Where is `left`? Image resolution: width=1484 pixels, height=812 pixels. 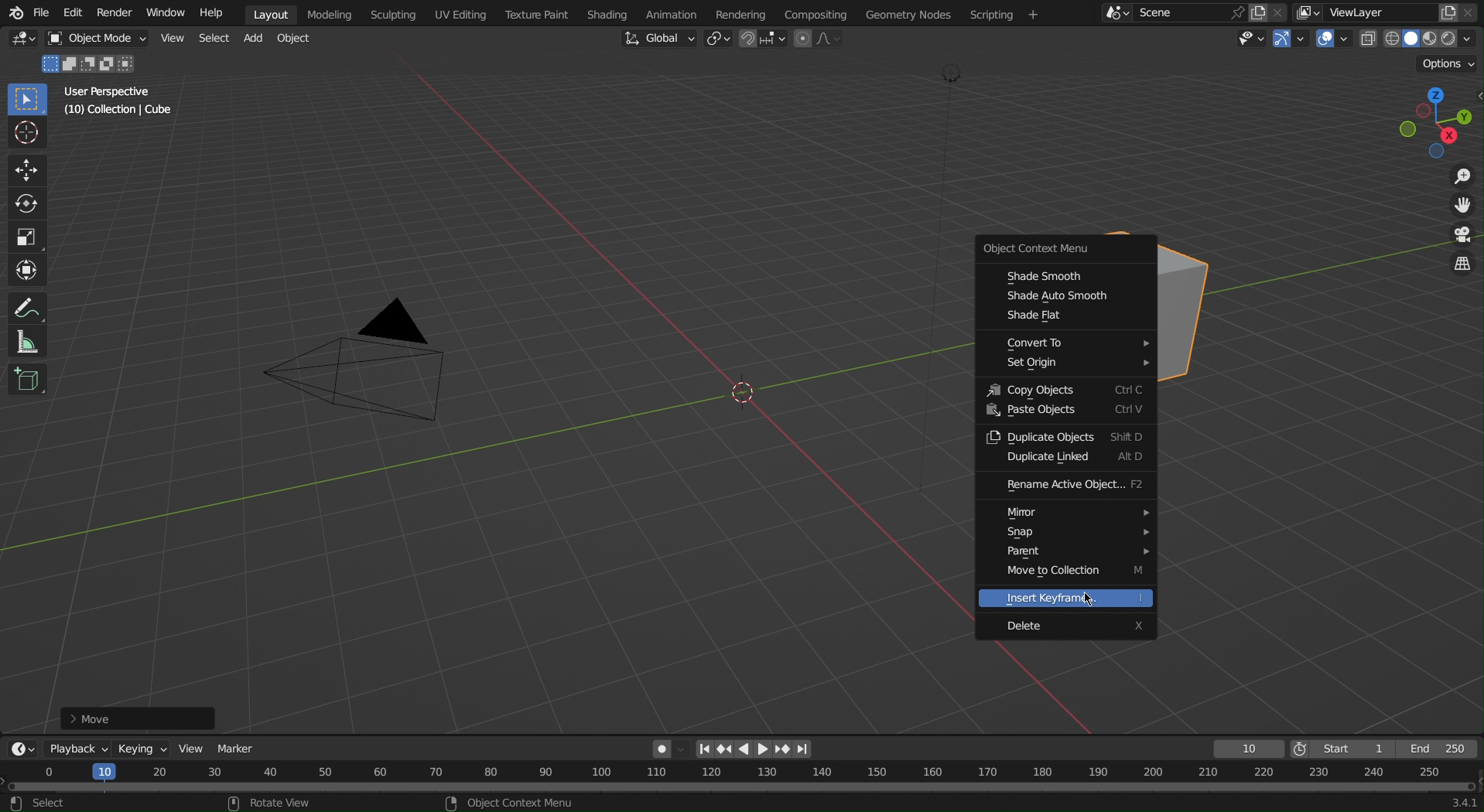 left is located at coordinates (745, 749).